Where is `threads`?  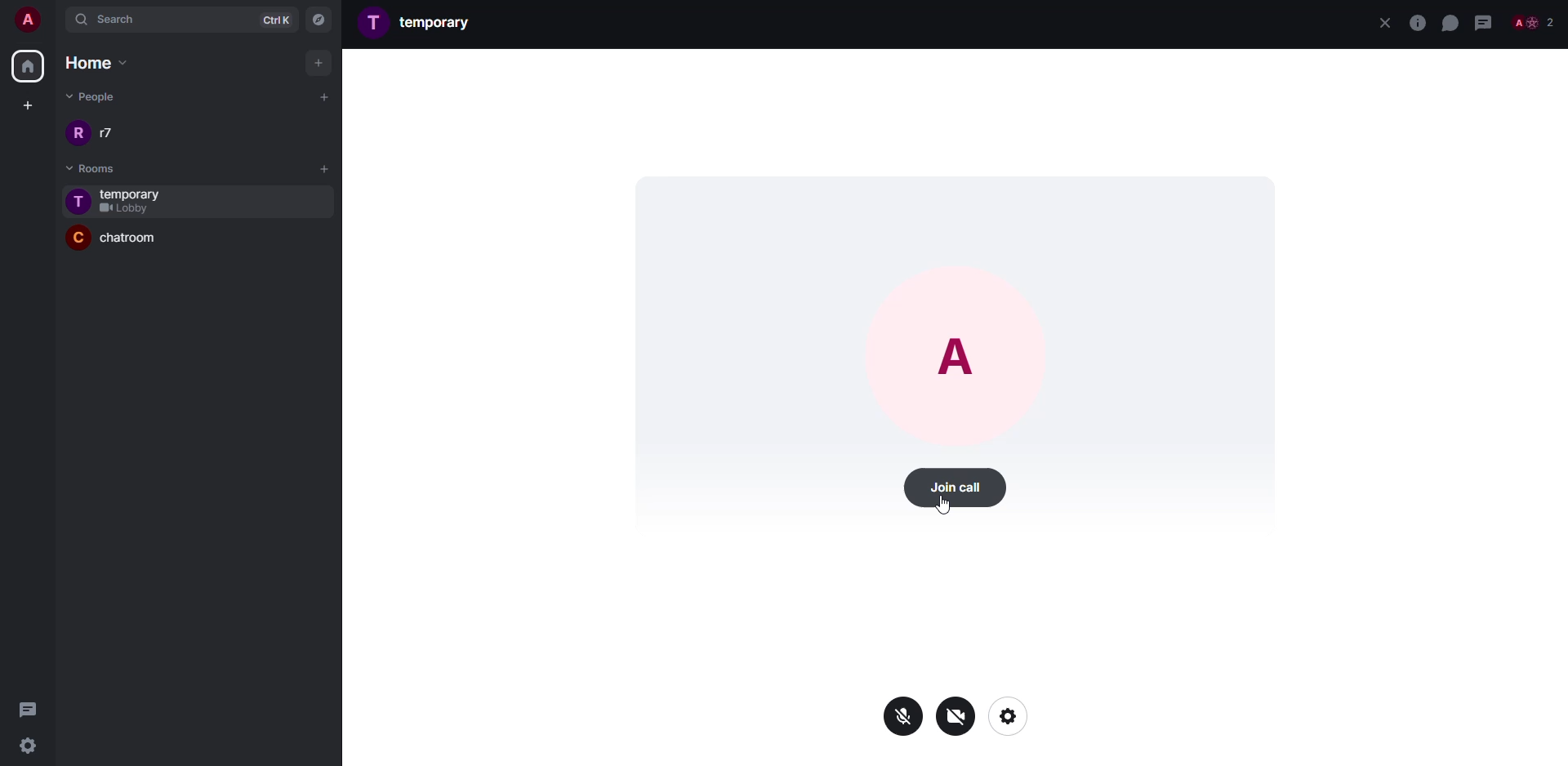
threads is located at coordinates (29, 708).